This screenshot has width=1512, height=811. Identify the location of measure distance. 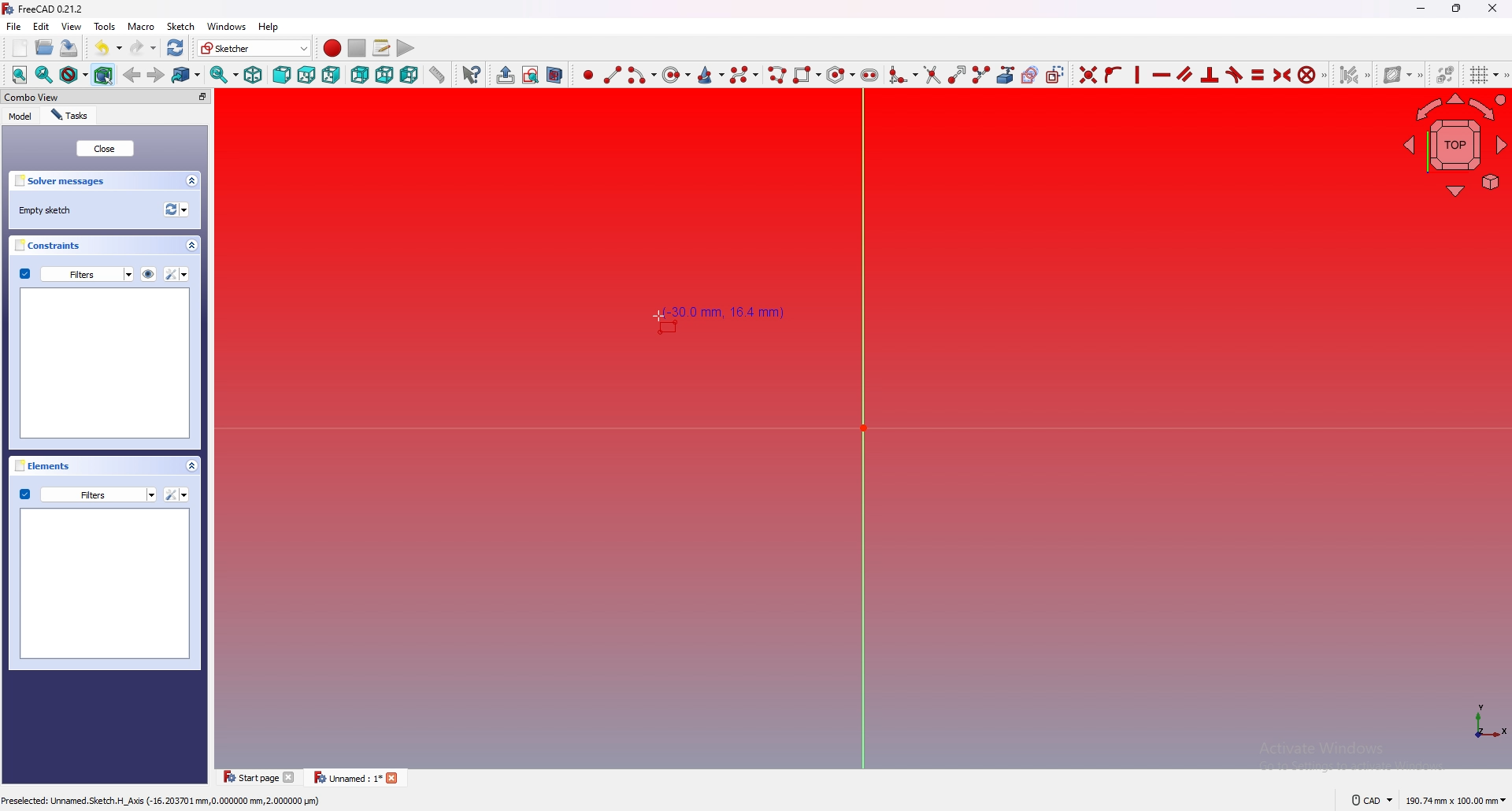
(438, 75).